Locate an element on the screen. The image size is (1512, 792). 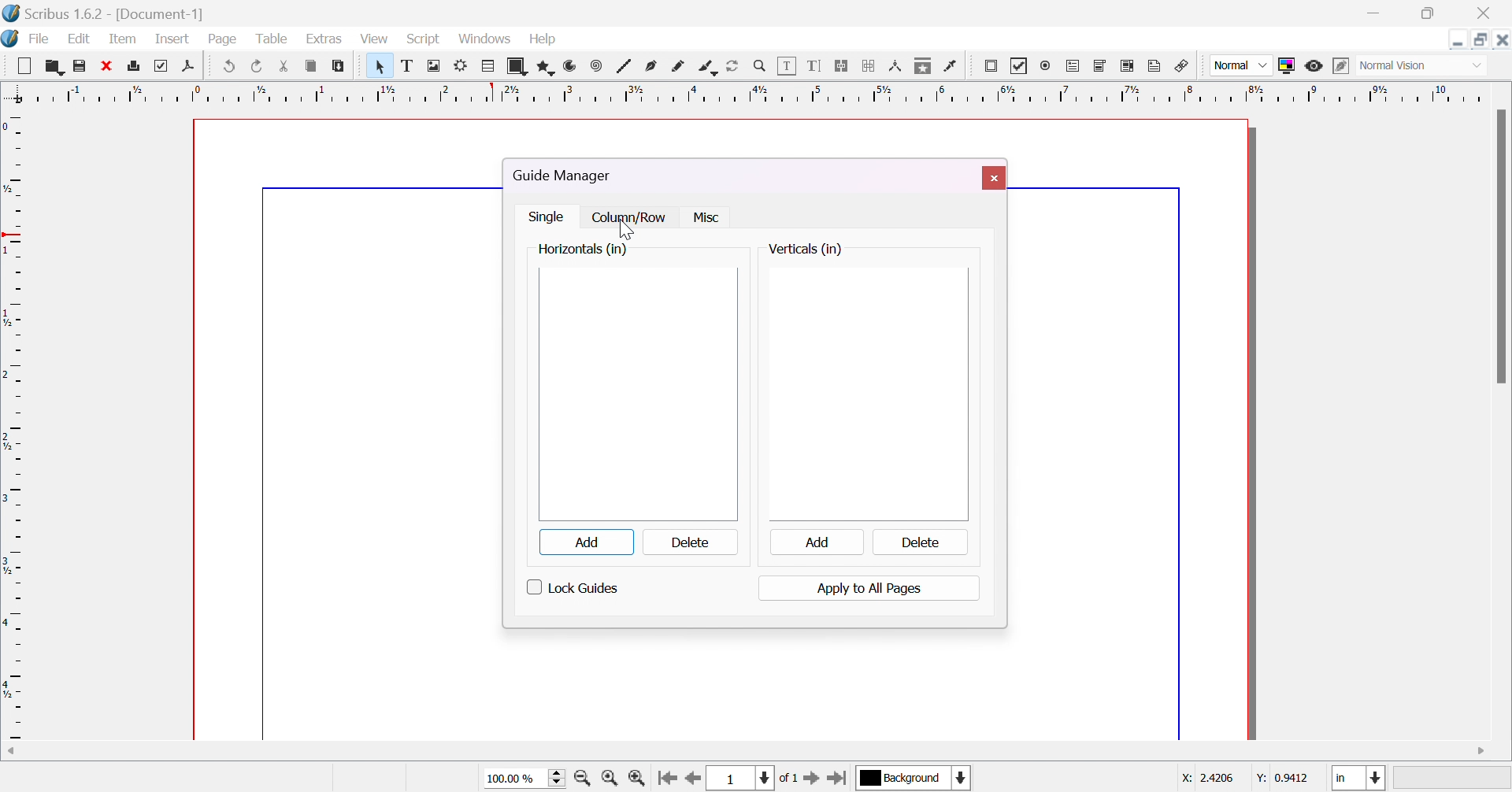
restore down is located at coordinates (1429, 14).